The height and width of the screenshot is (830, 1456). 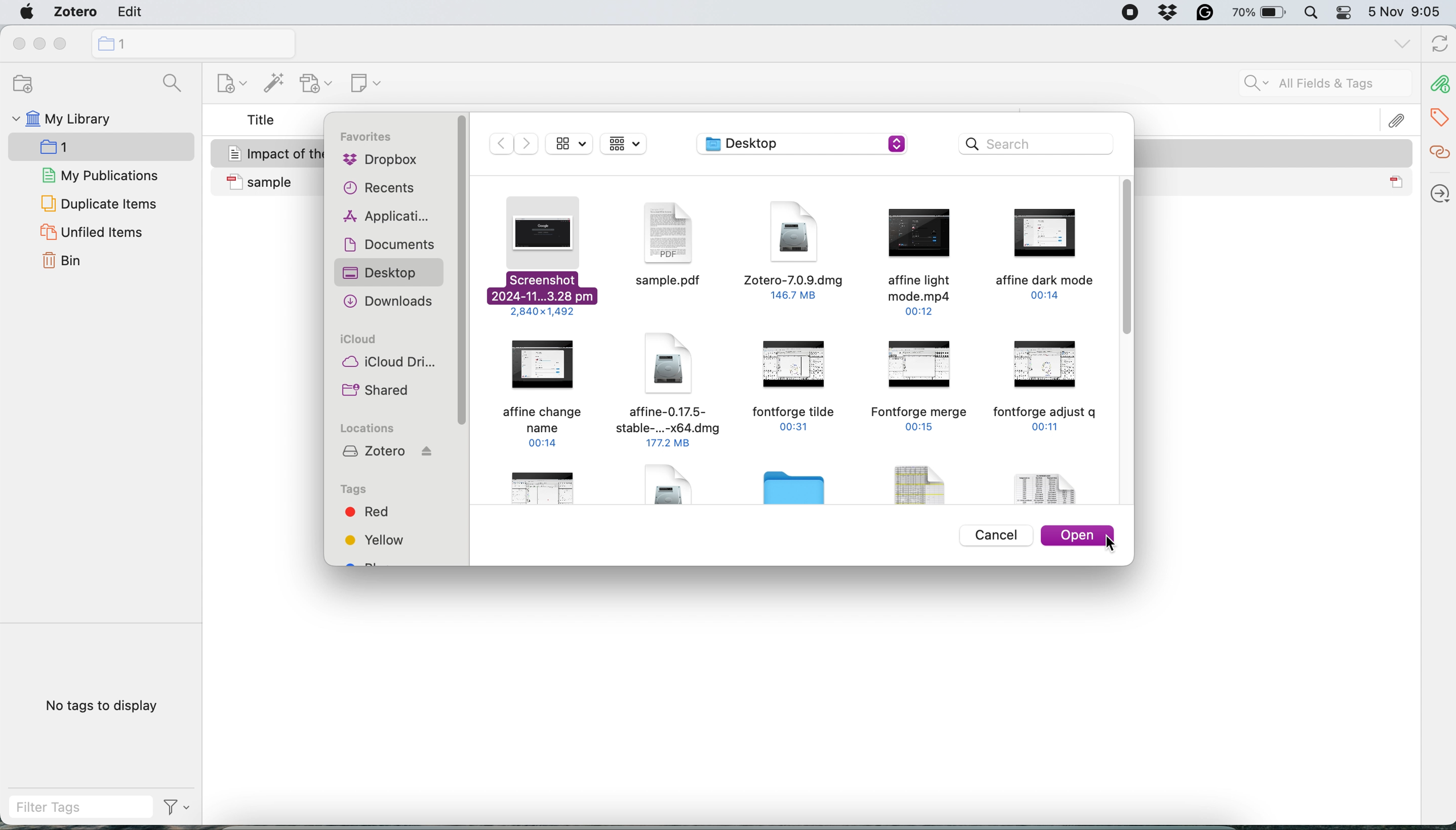 What do you see at coordinates (389, 300) in the screenshot?
I see `downloads` at bounding box center [389, 300].